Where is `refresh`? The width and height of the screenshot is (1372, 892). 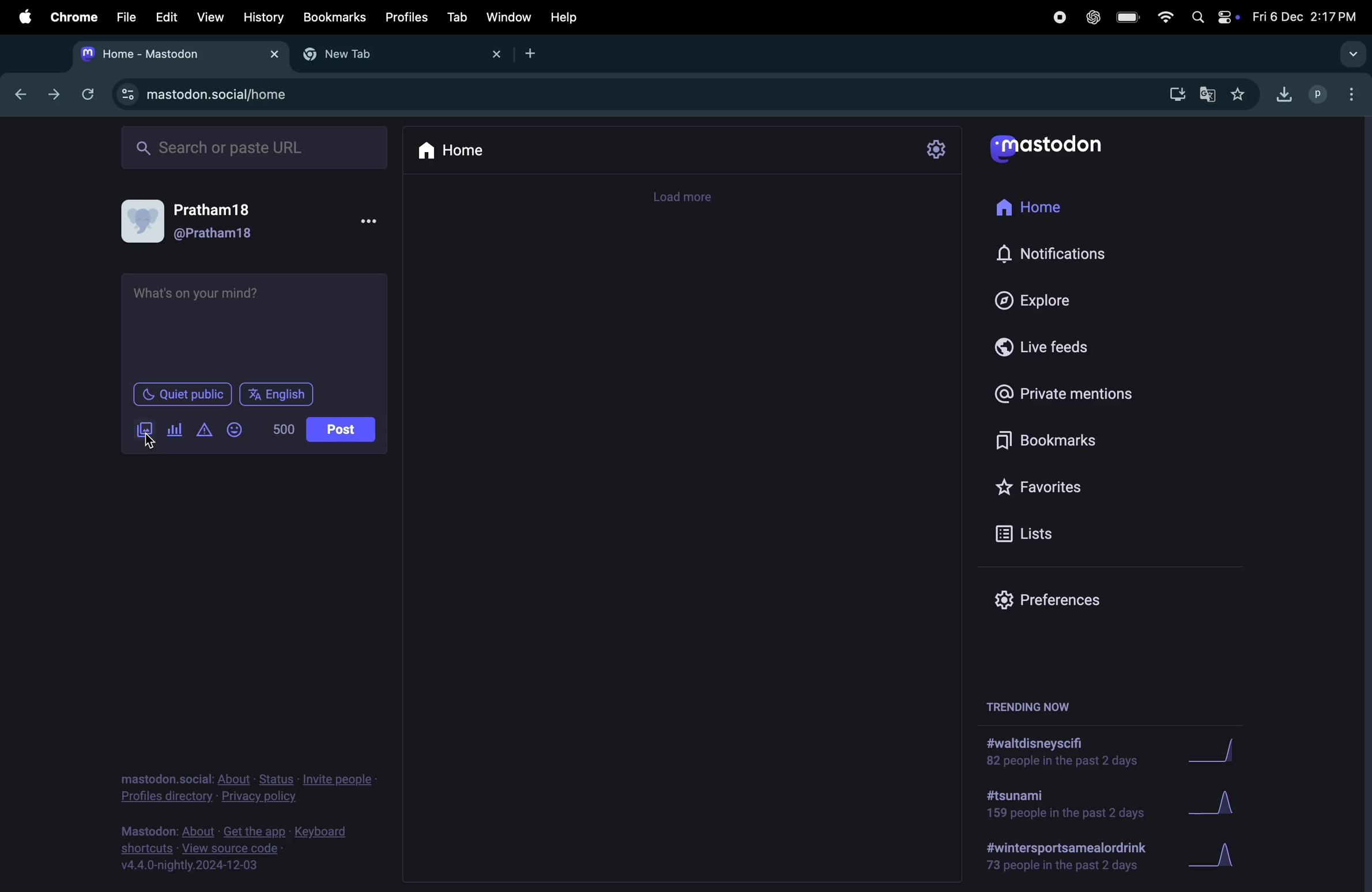
refresh is located at coordinates (85, 93).